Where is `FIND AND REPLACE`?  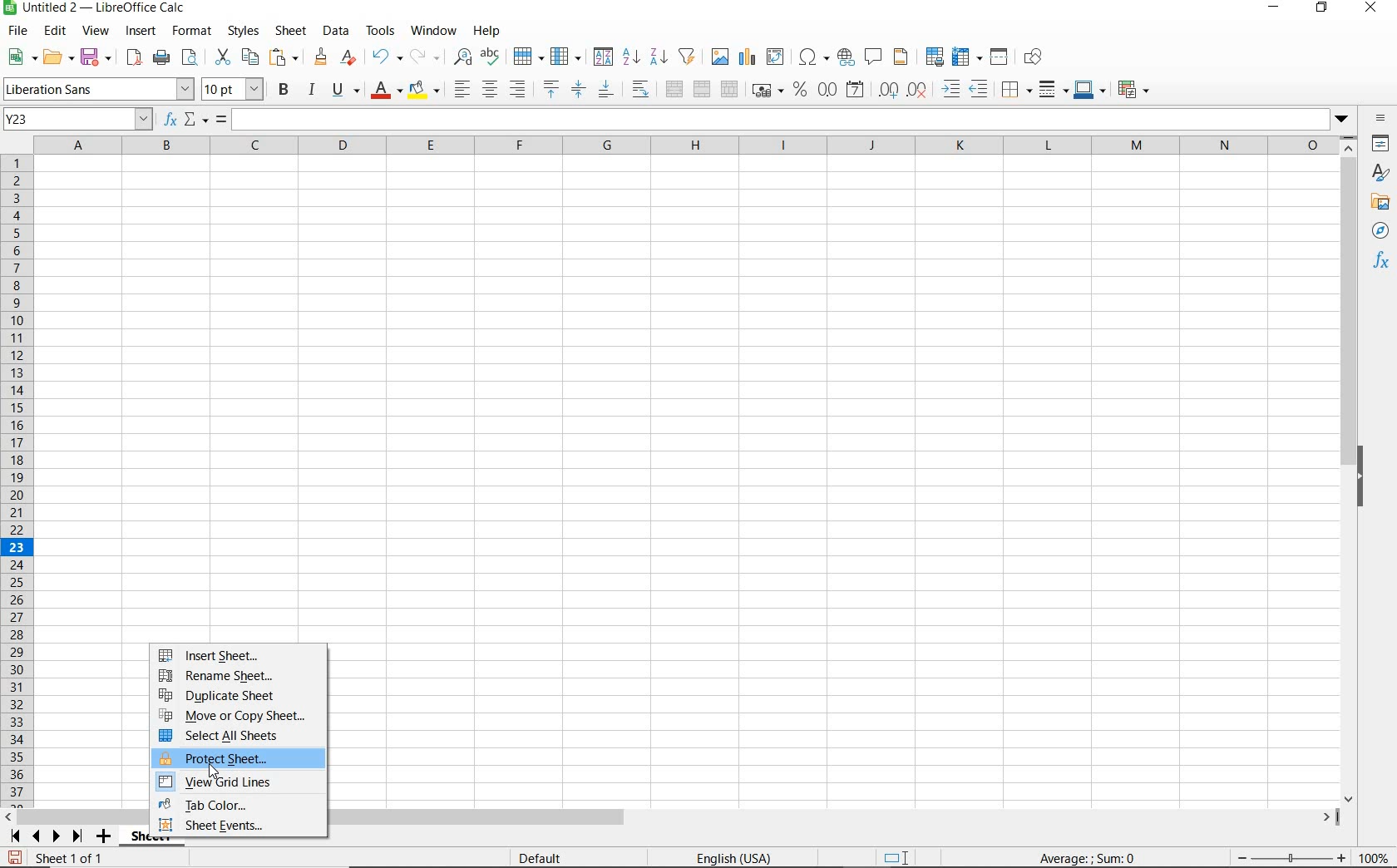 FIND AND REPLACE is located at coordinates (459, 57).